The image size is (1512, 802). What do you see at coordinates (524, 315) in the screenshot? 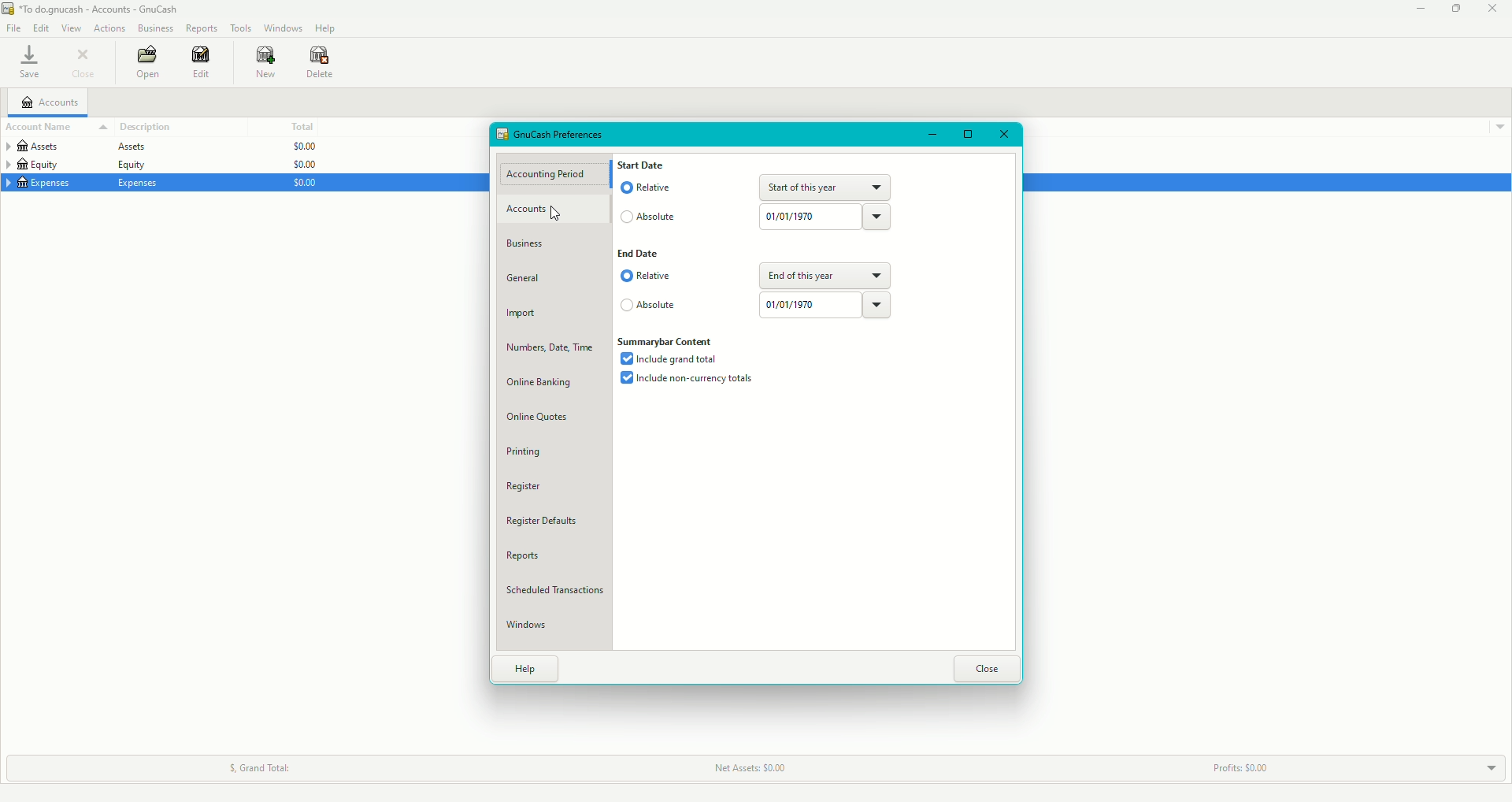
I see `Import` at bounding box center [524, 315].